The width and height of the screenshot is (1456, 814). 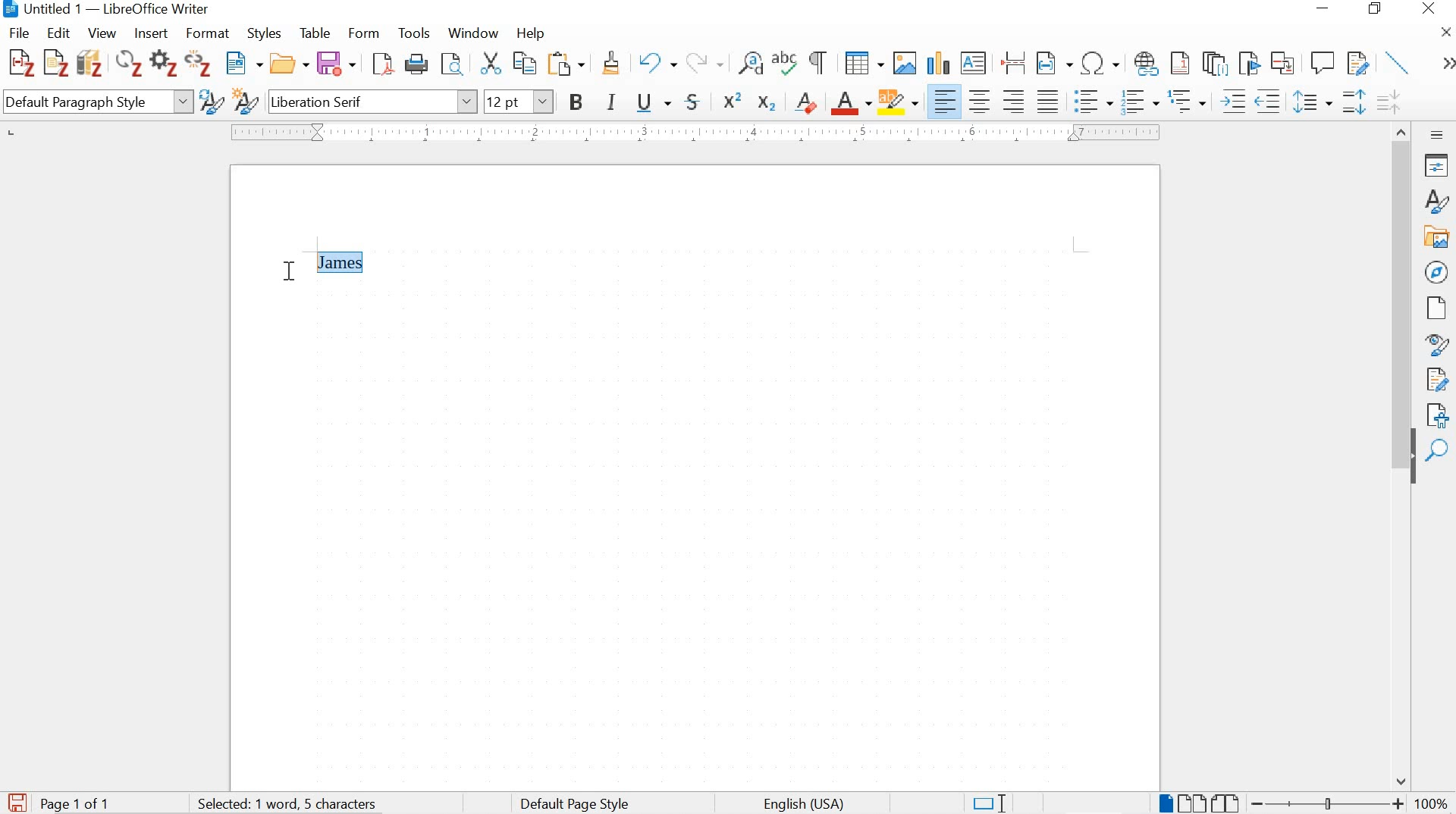 What do you see at coordinates (89, 62) in the screenshot?
I see `add/edit bibliography` at bounding box center [89, 62].